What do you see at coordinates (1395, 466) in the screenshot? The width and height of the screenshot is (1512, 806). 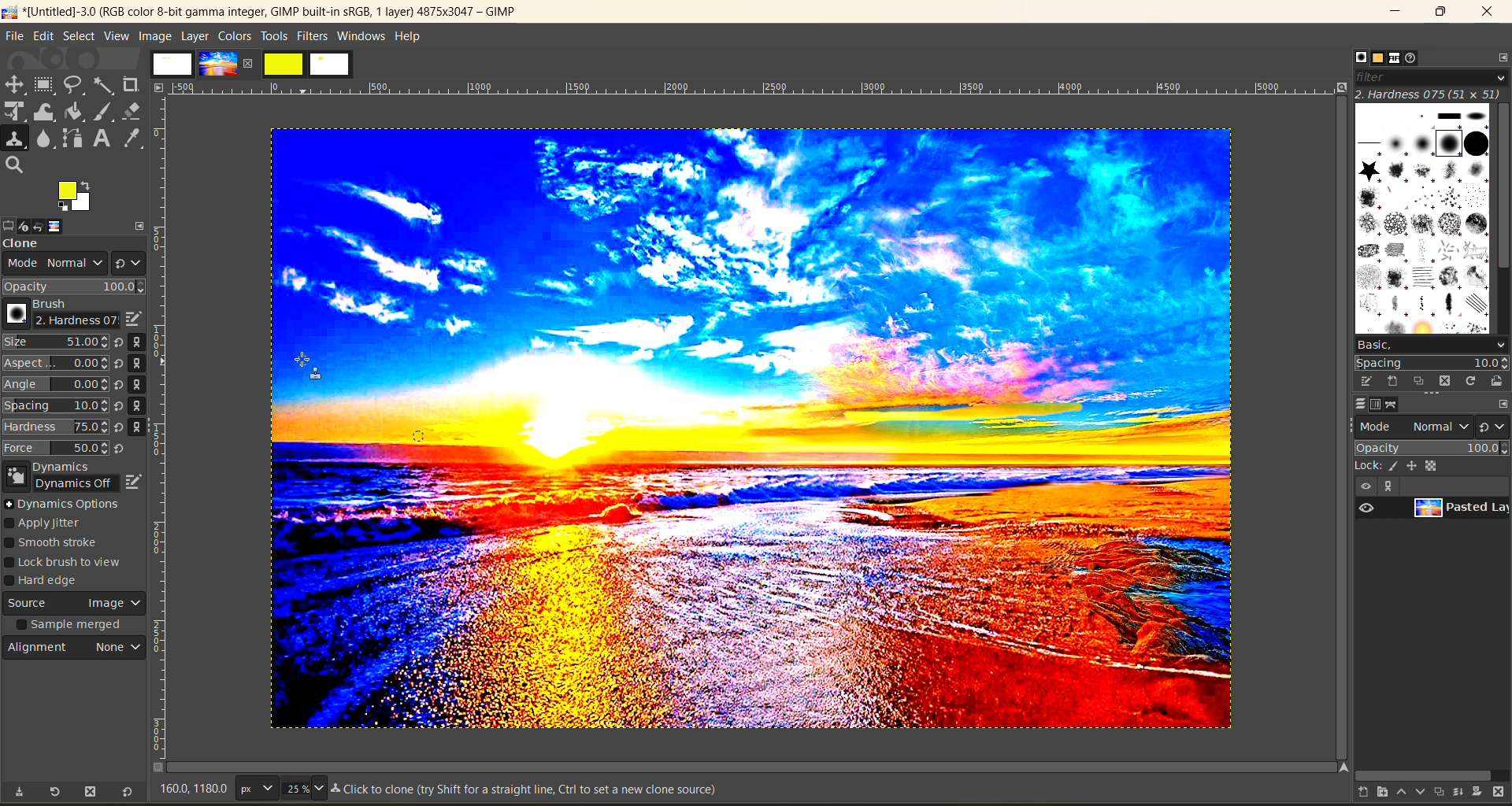 I see `painting tool` at bounding box center [1395, 466].